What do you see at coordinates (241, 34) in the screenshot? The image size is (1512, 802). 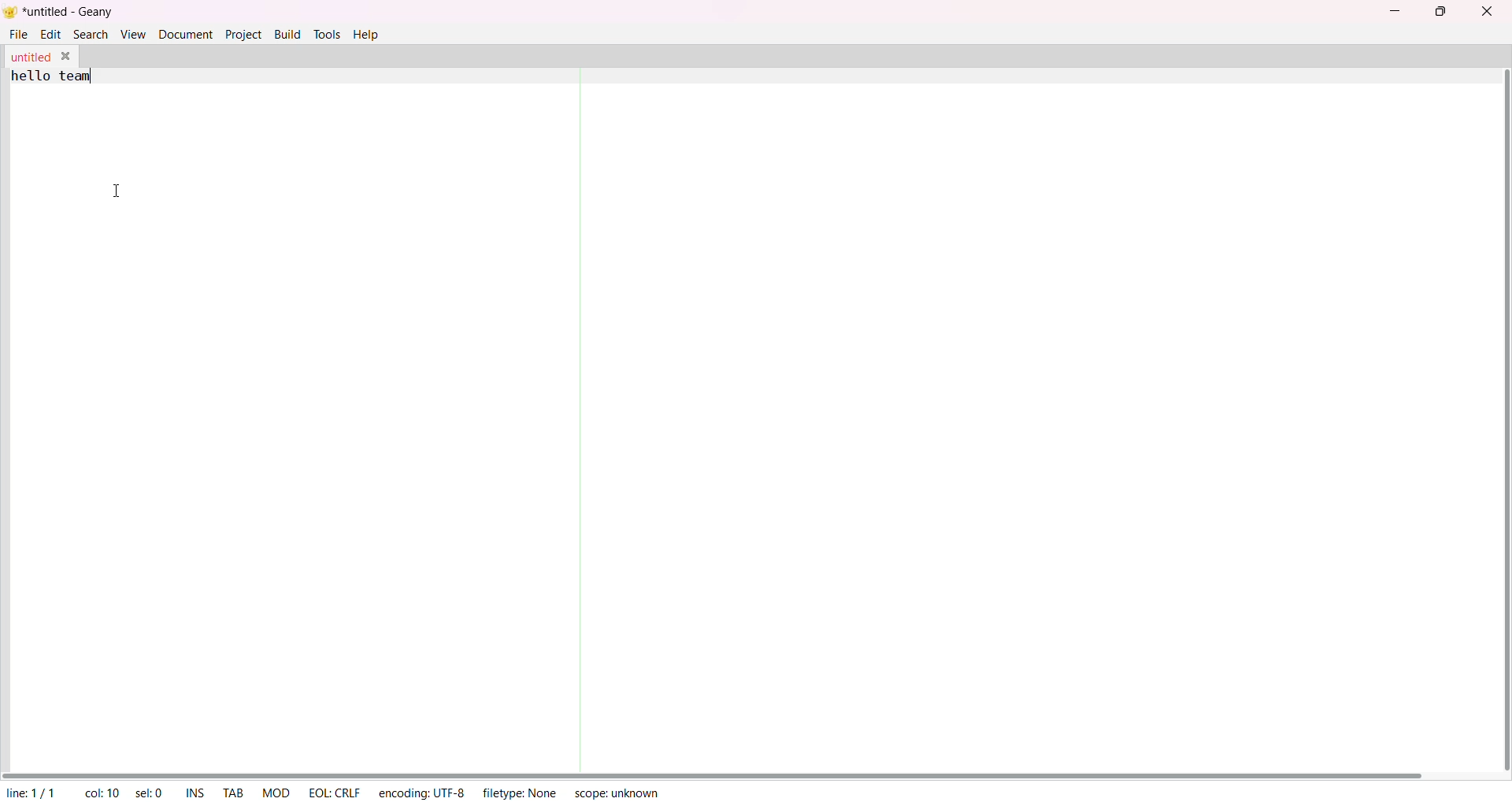 I see `project` at bounding box center [241, 34].